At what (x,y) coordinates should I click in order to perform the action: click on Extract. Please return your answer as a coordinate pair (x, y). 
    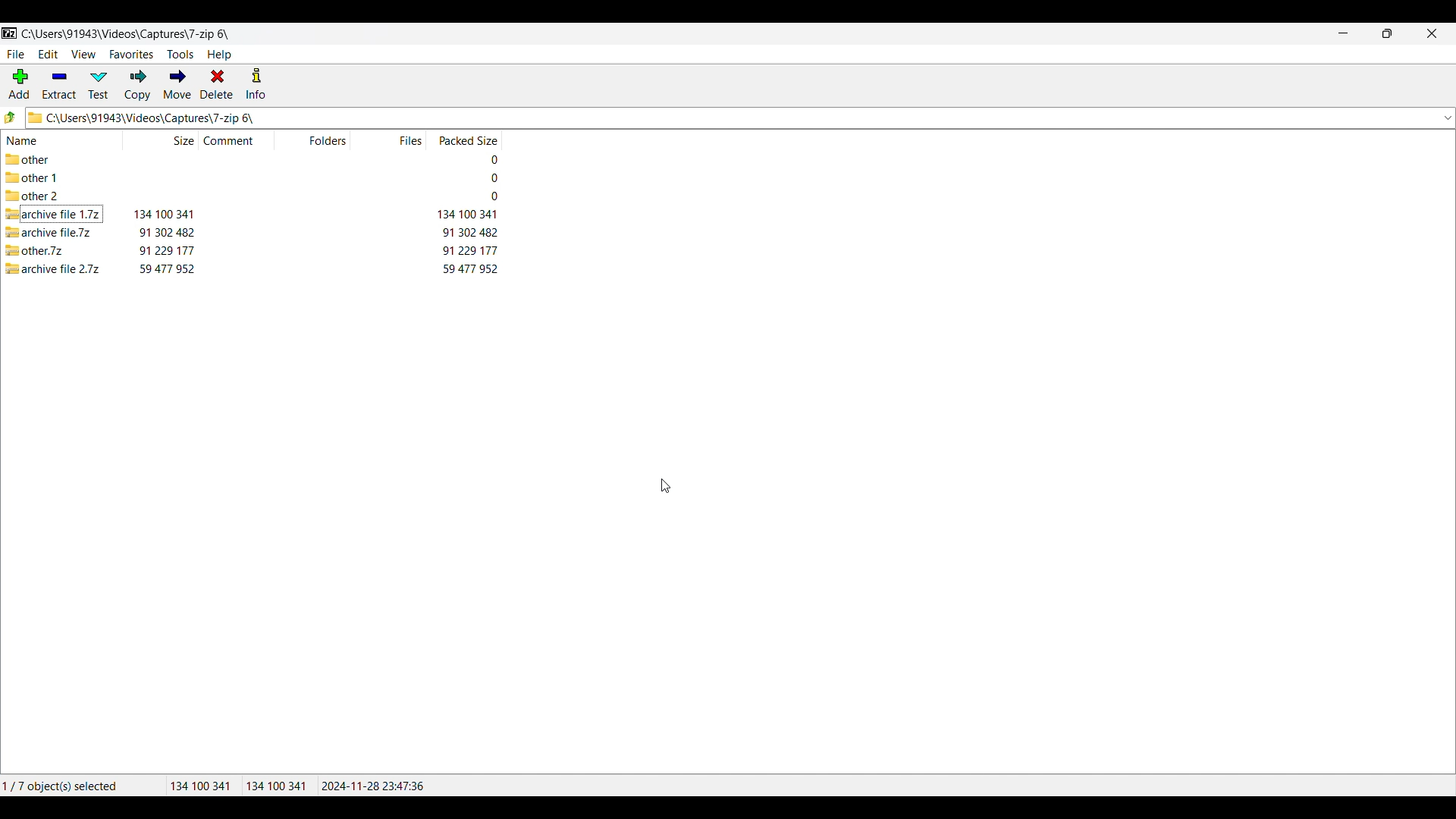
    Looking at the image, I should click on (59, 85).